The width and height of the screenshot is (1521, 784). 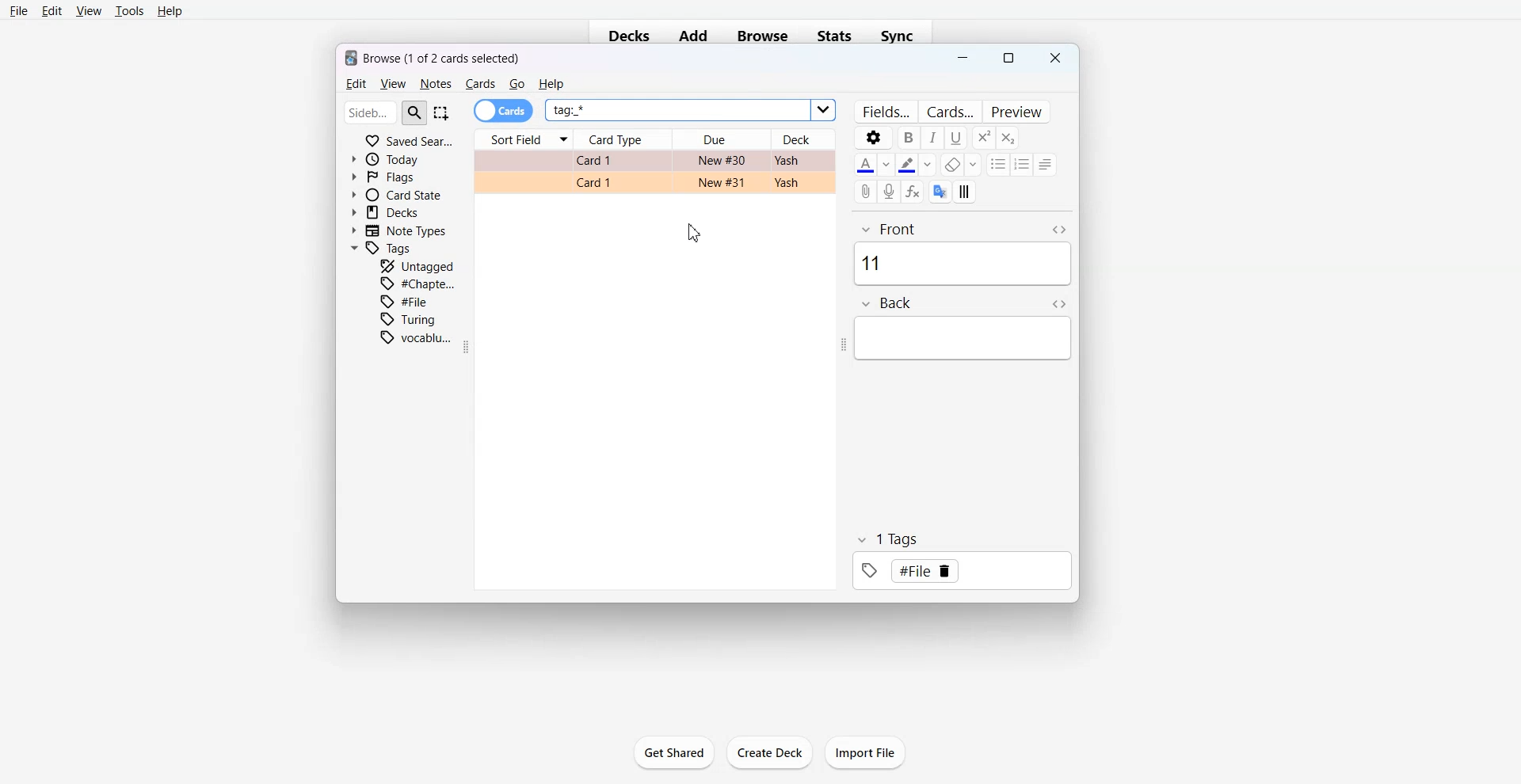 What do you see at coordinates (419, 283) in the screenshot?
I see `Chapter` at bounding box center [419, 283].